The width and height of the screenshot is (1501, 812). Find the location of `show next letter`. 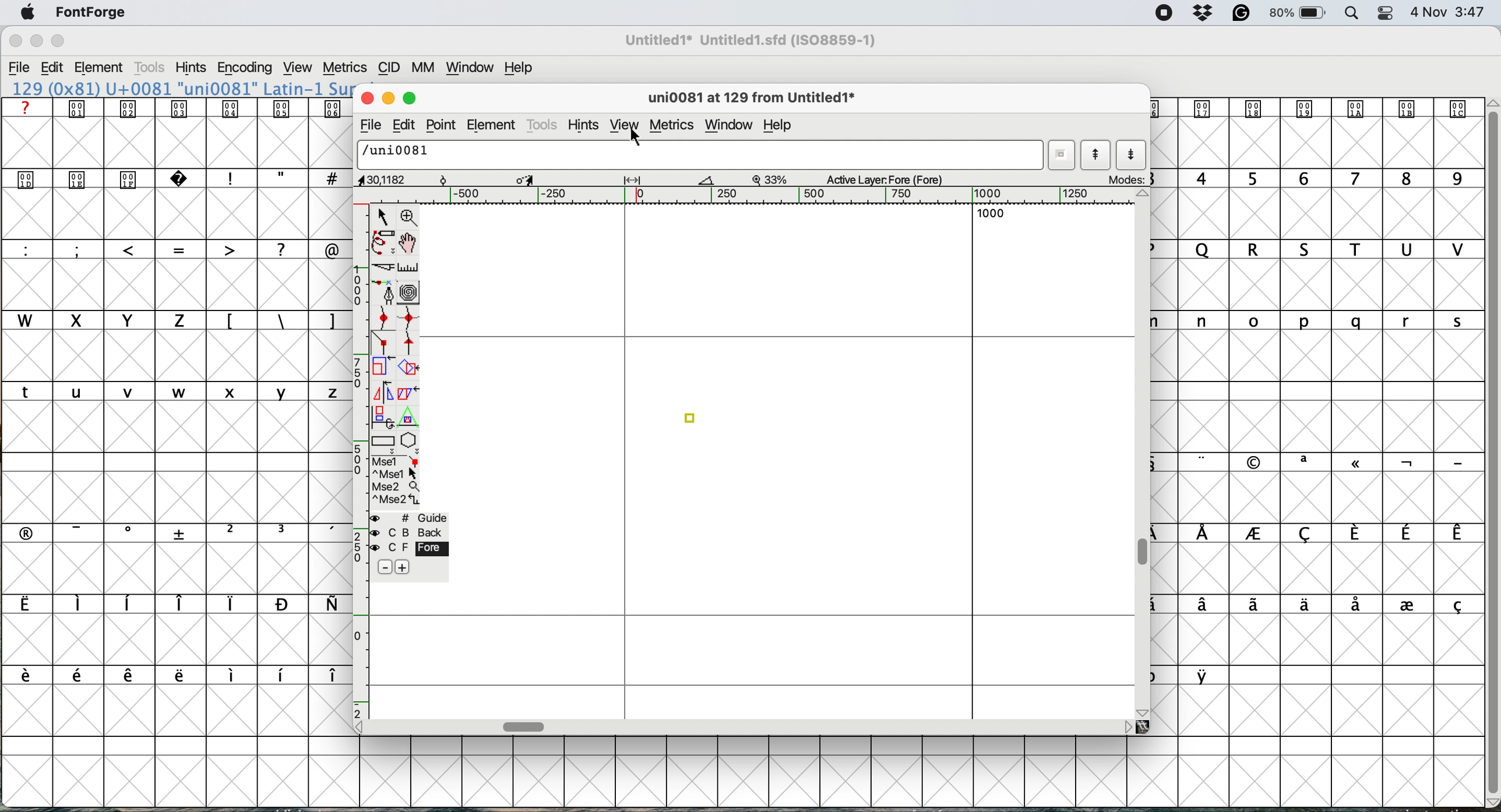

show next letter is located at coordinates (1130, 154).